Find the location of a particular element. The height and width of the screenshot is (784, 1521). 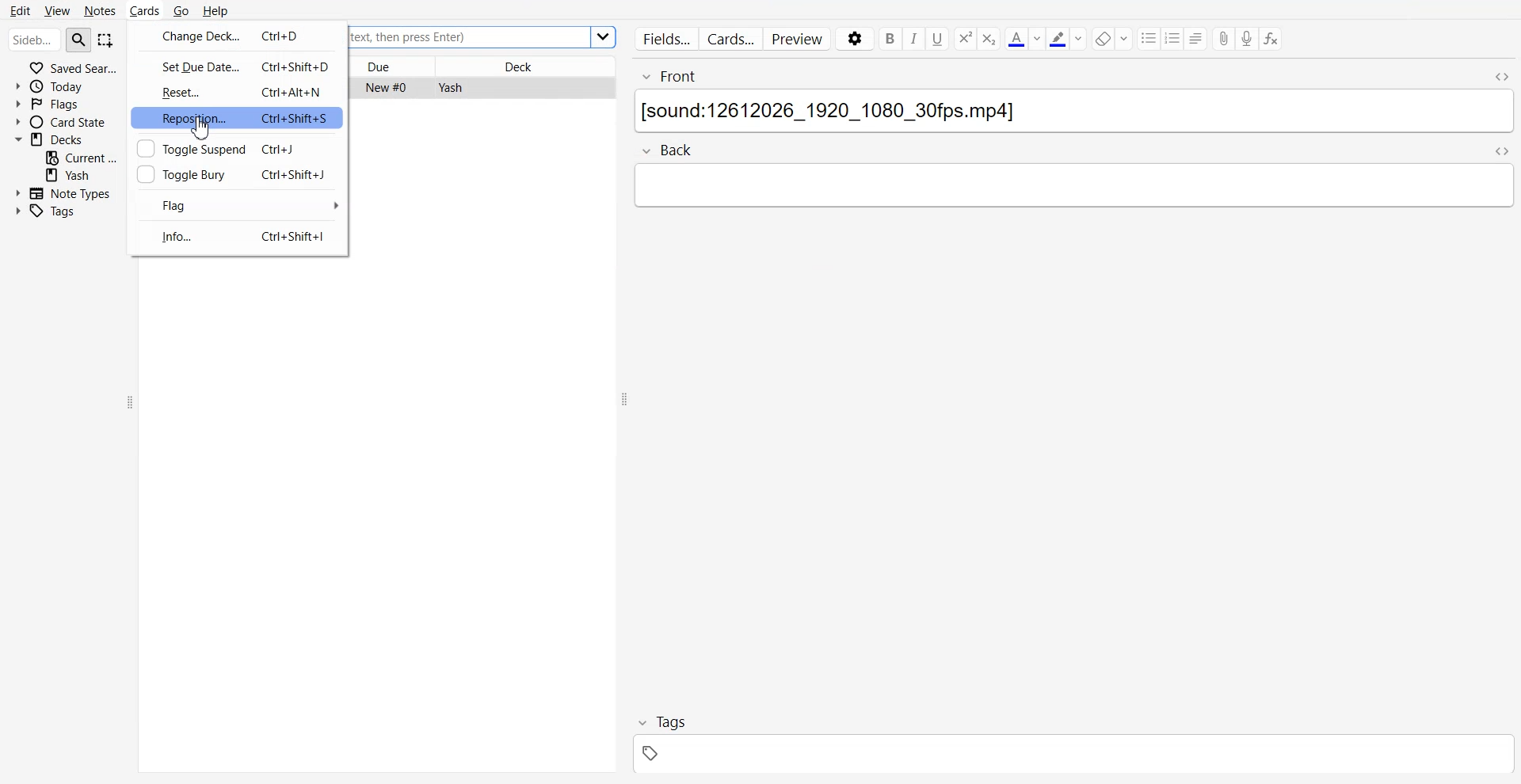

Back is located at coordinates (678, 150).